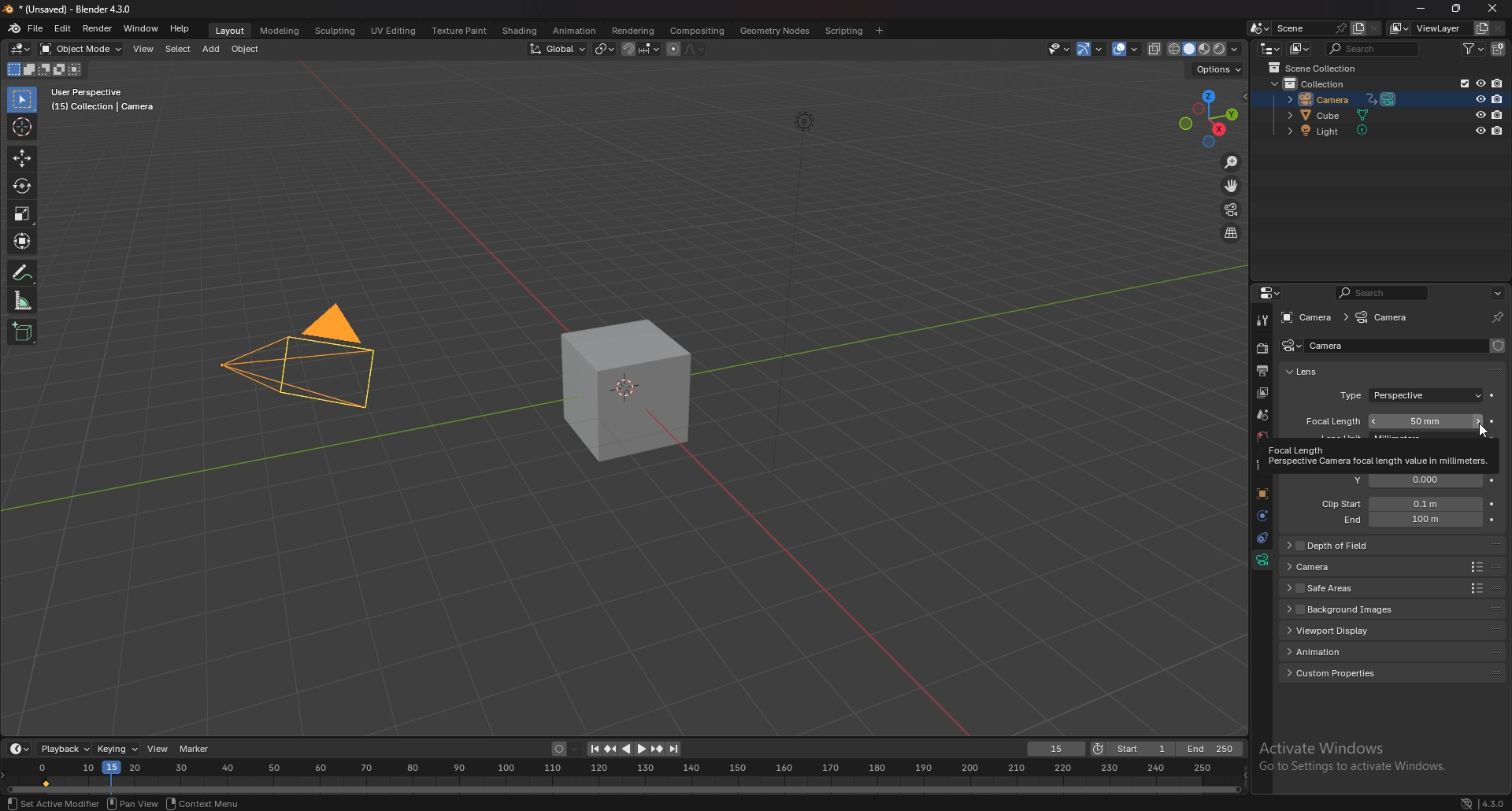 The image size is (1512, 811). What do you see at coordinates (1338, 98) in the screenshot?
I see `camera` at bounding box center [1338, 98].